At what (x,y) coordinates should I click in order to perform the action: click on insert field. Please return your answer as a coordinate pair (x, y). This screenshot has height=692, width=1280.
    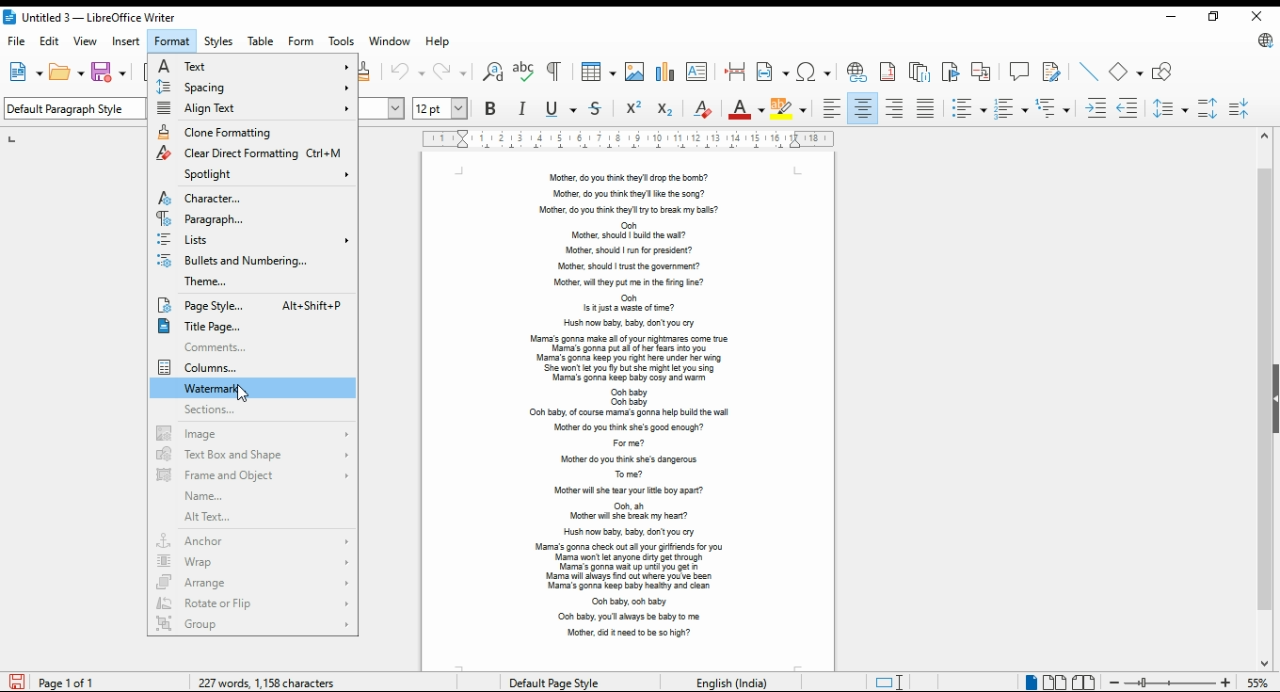
    Looking at the image, I should click on (773, 72).